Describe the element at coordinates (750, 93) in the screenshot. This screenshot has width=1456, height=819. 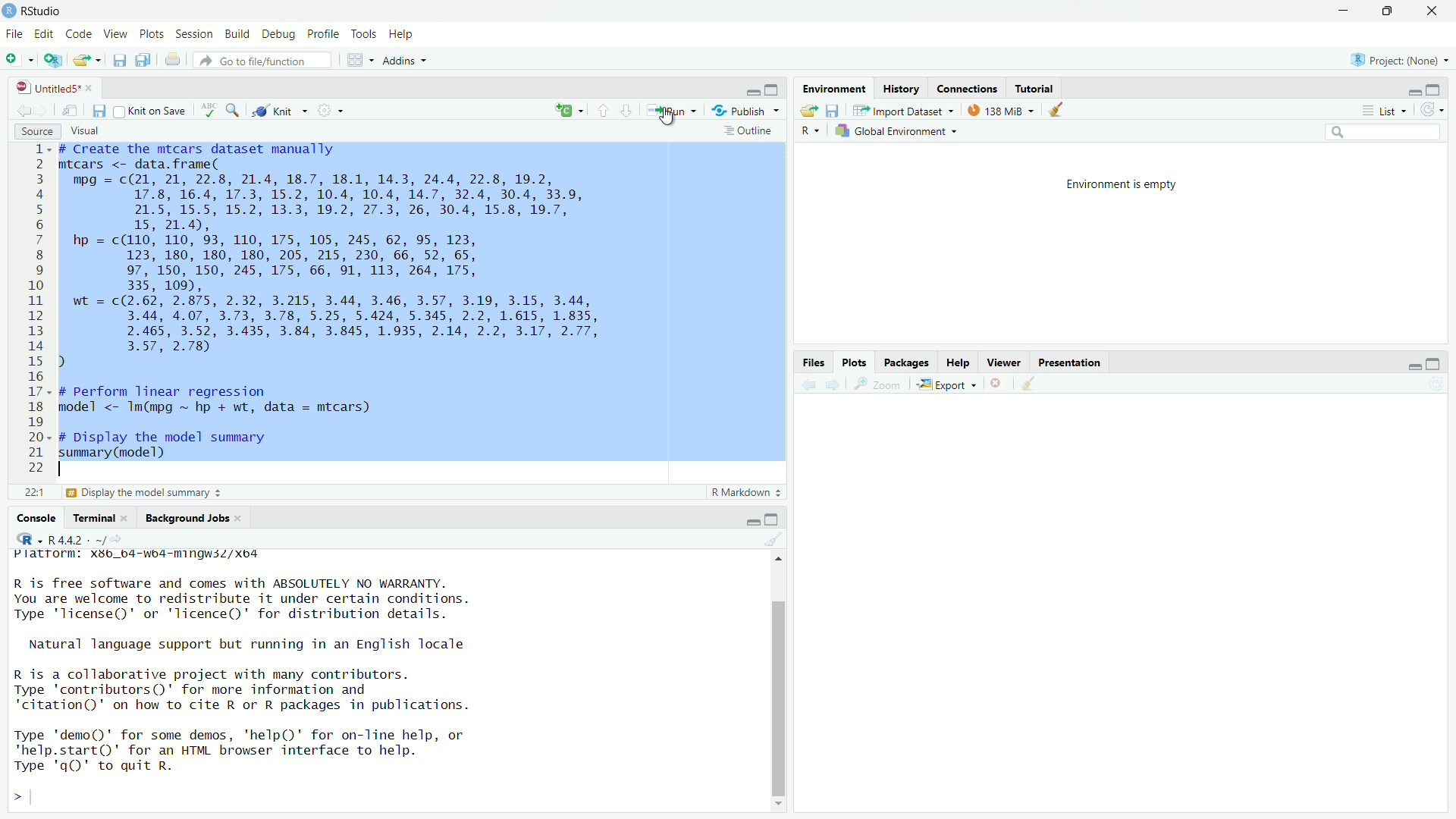
I see `minimize` at that location.